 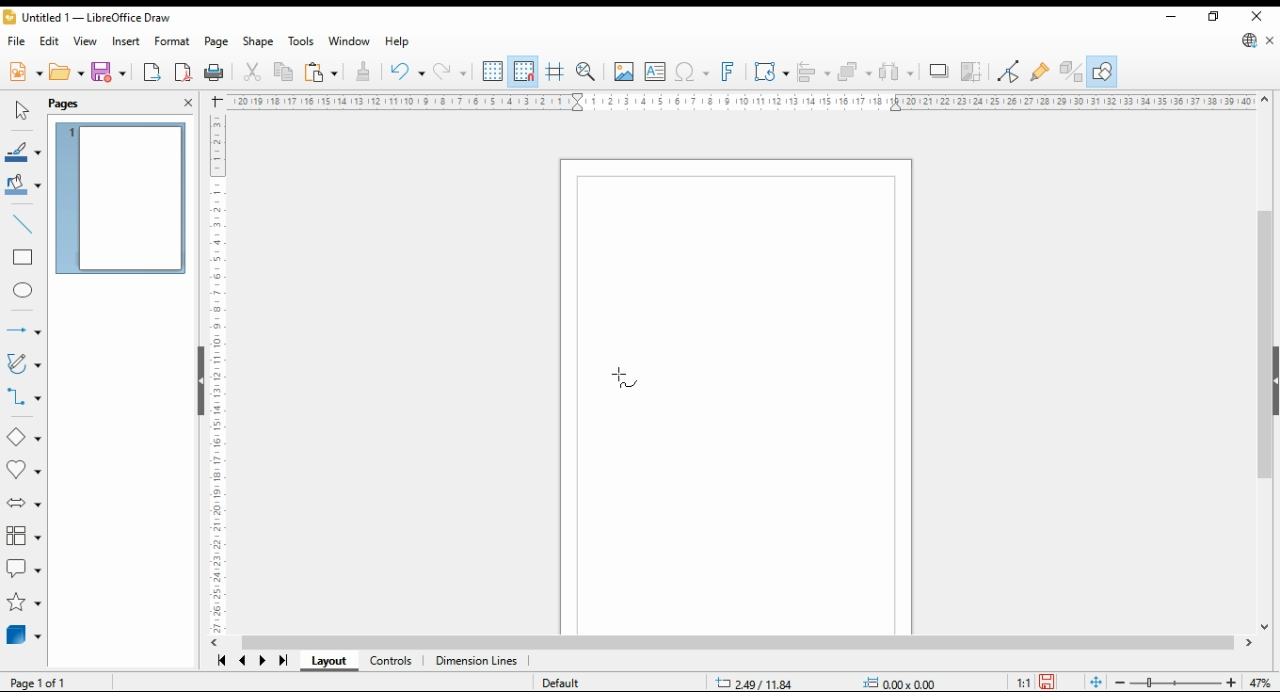 I want to click on tools, so click(x=302, y=42).